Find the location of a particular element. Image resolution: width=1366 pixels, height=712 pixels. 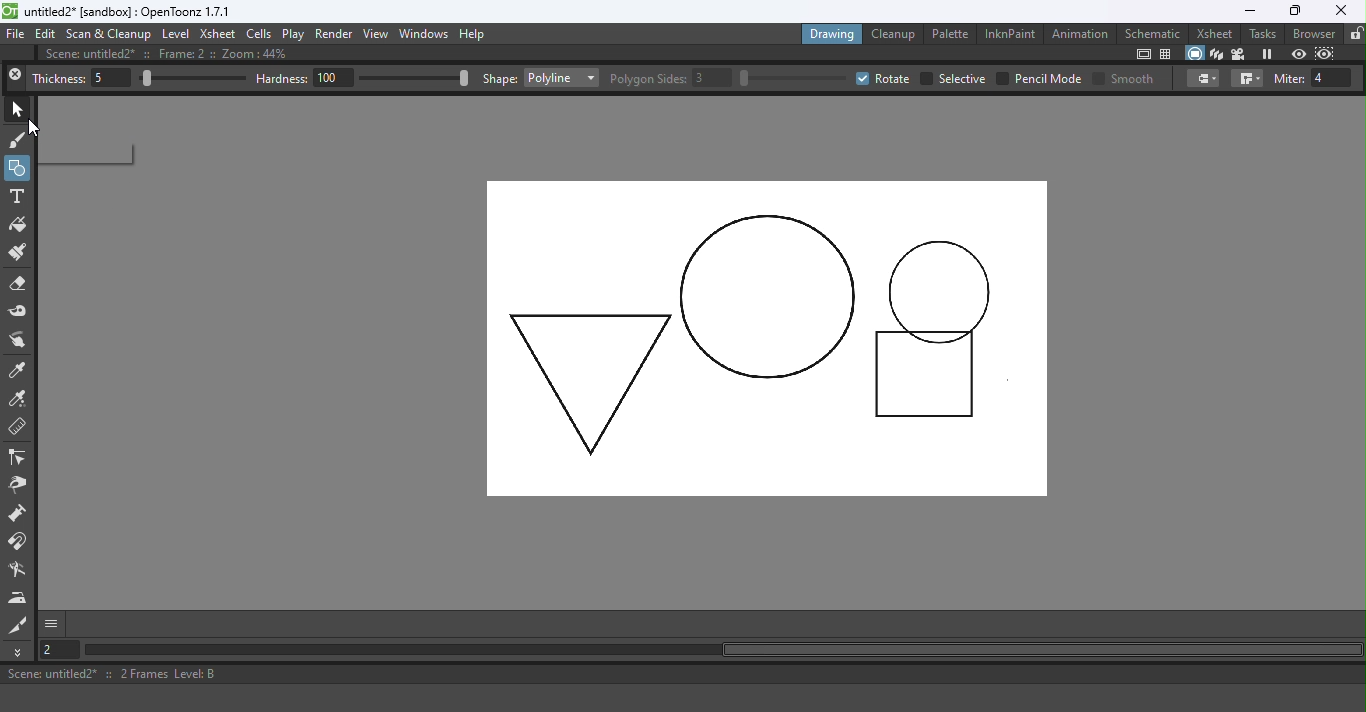

Miter is located at coordinates (1315, 78).